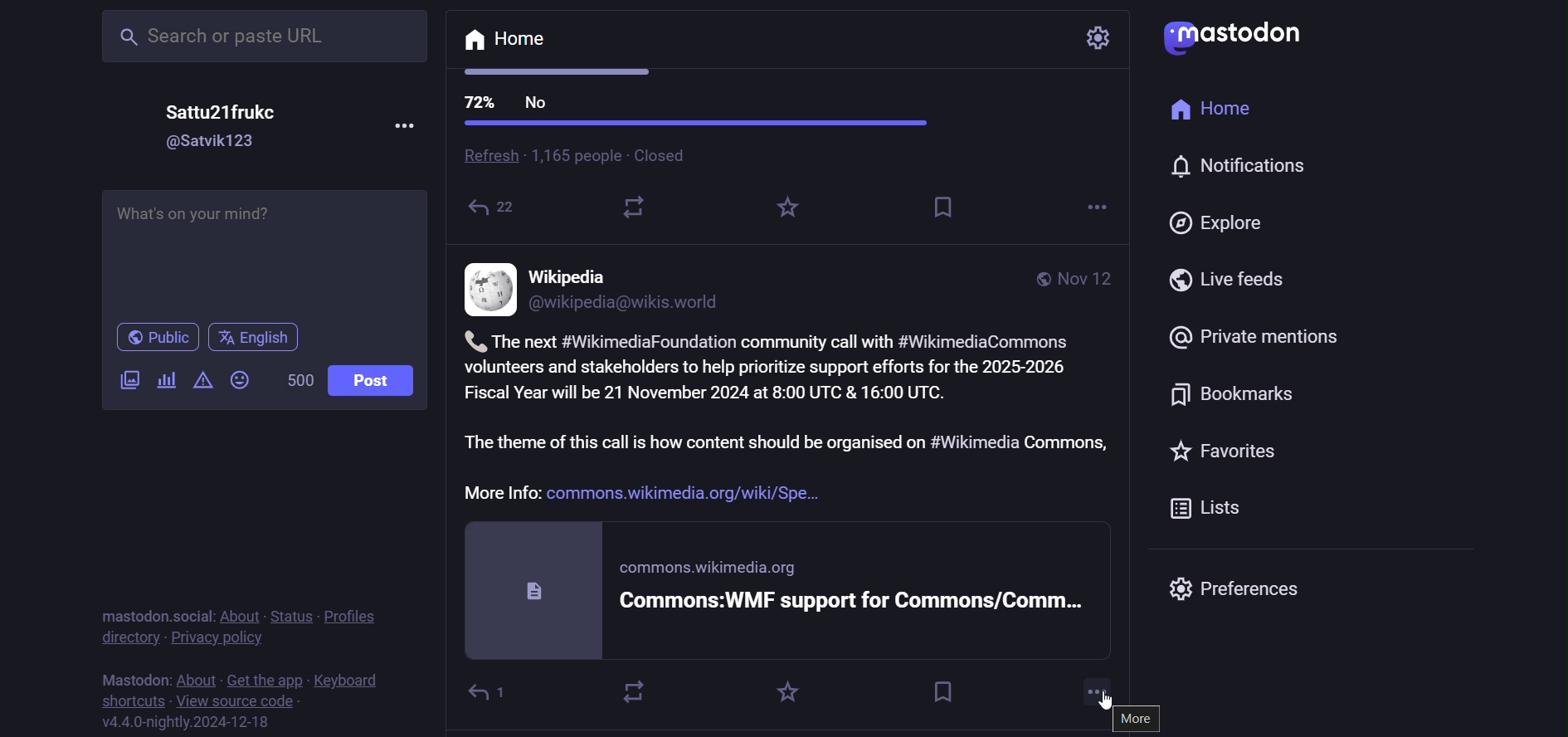 The width and height of the screenshot is (1568, 737). I want to click on more options, so click(1095, 208).